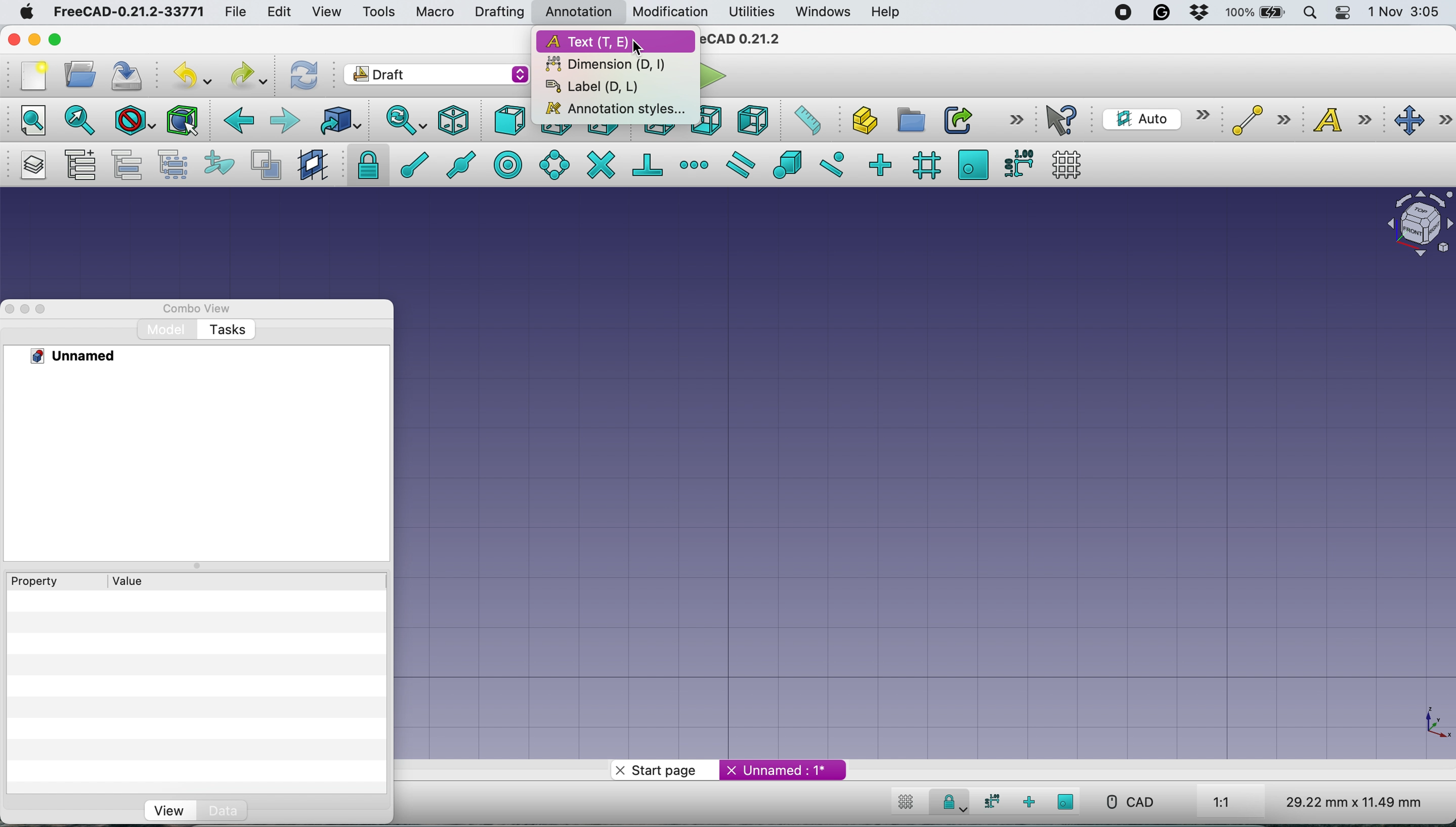 The height and width of the screenshot is (827, 1456). Describe the element at coordinates (954, 119) in the screenshot. I see `make link` at that location.